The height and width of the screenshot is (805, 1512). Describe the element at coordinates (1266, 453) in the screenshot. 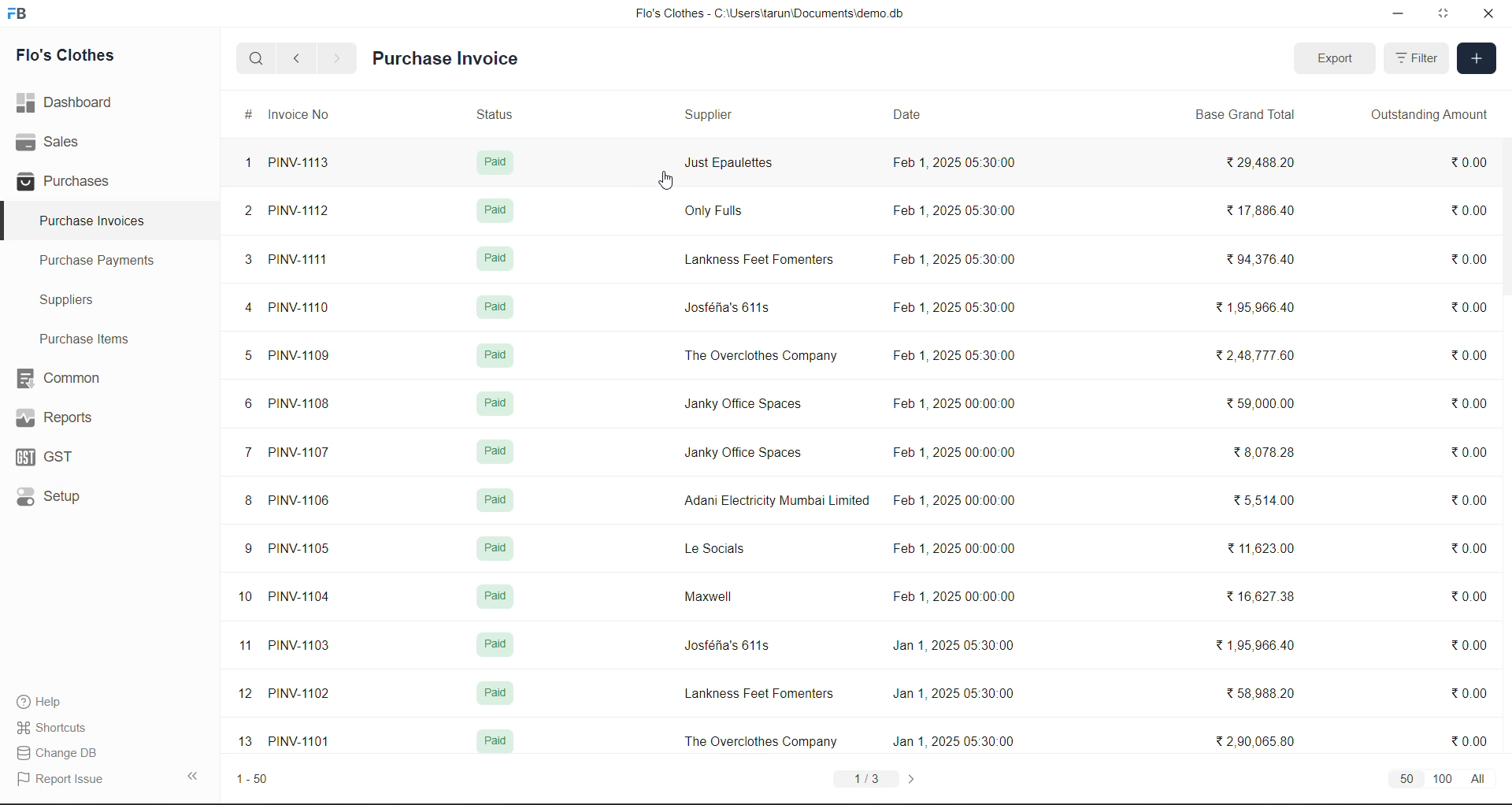

I see `₹8078.28` at that location.